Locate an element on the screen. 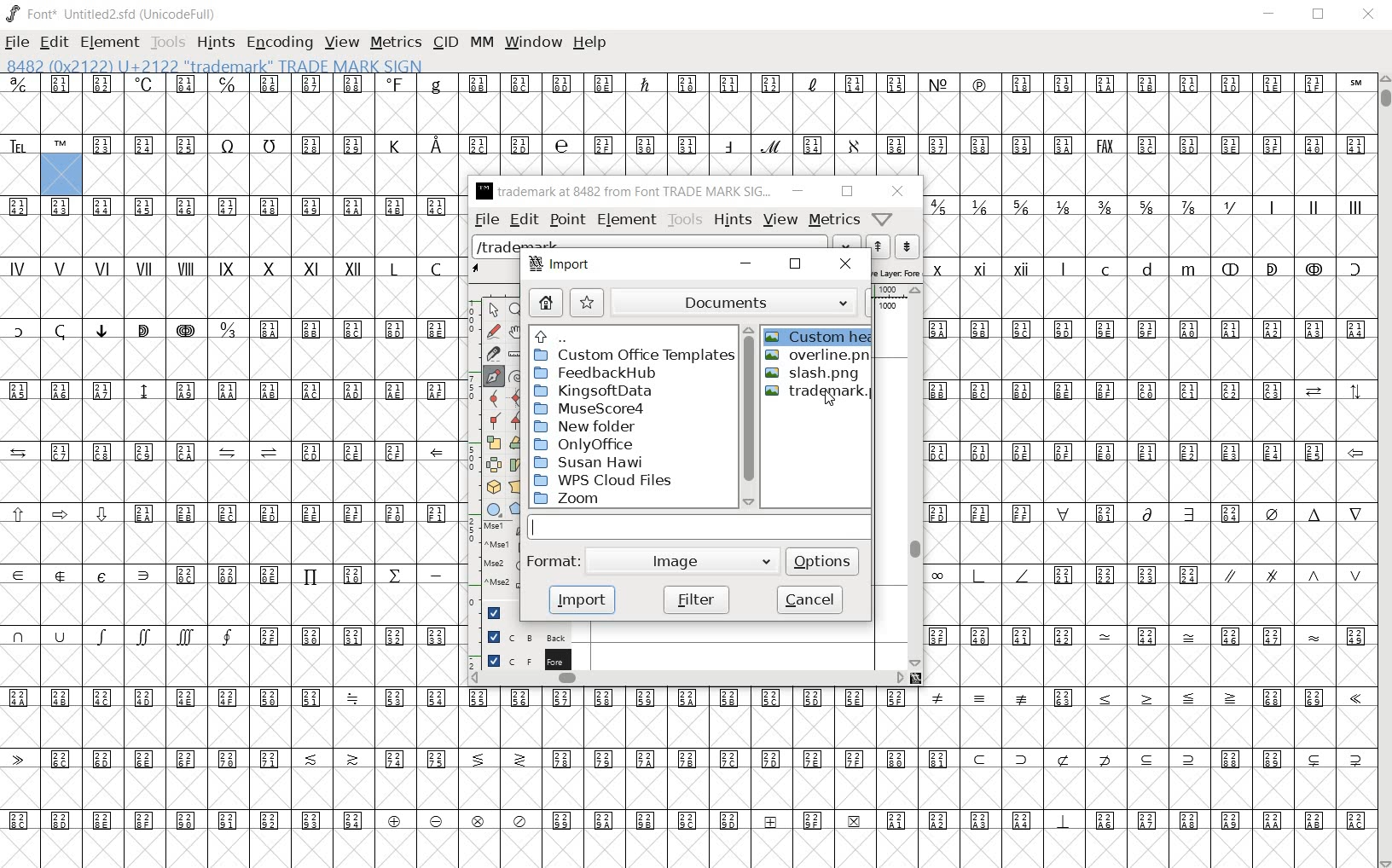  close is located at coordinates (850, 264).